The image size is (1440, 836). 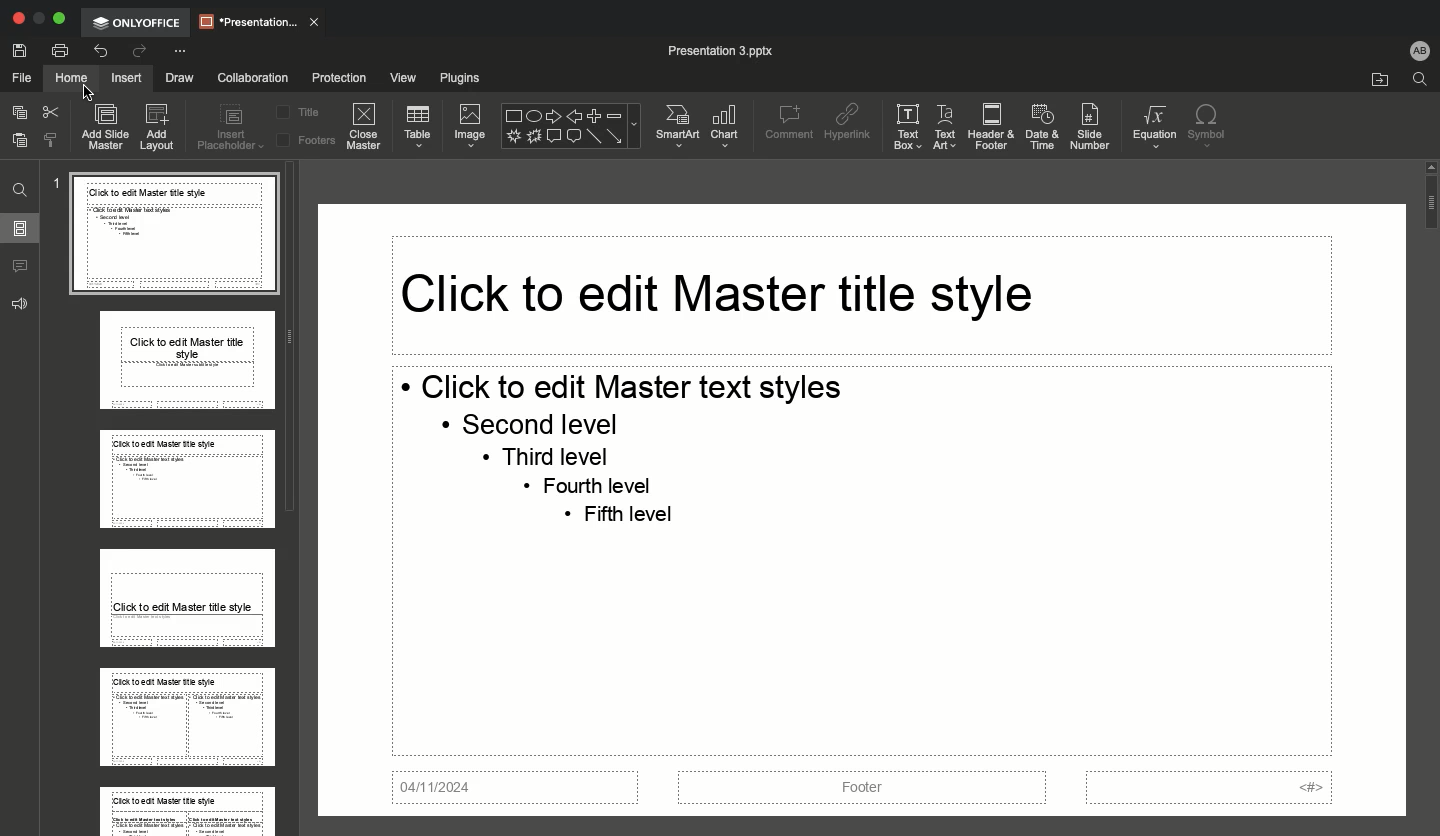 What do you see at coordinates (574, 112) in the screenshot?
I see `Left arrow` at bounding box center [574, 112].